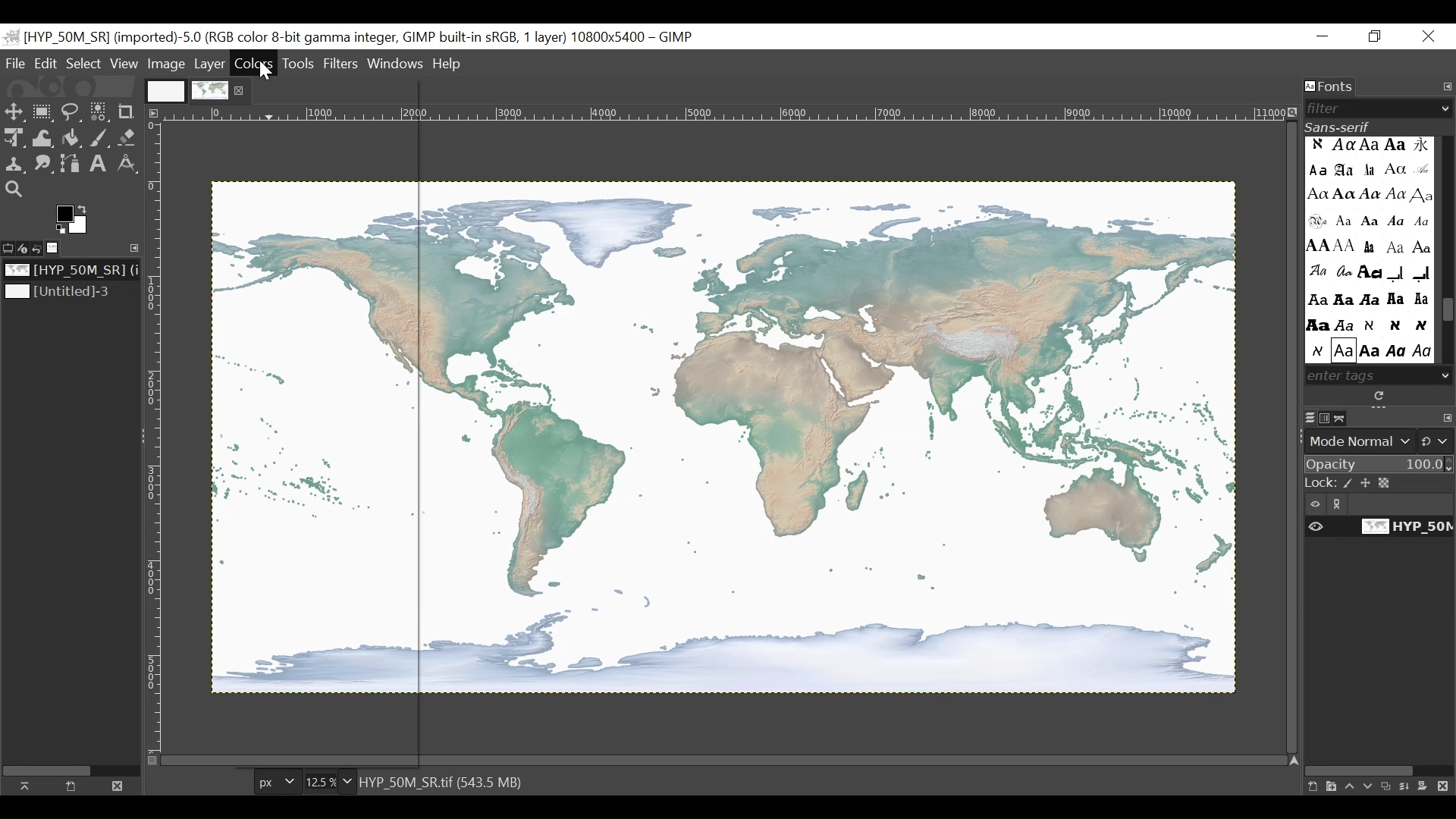 The image size is (1456, 819). I want to click on Create a new display, so click(71, 786).